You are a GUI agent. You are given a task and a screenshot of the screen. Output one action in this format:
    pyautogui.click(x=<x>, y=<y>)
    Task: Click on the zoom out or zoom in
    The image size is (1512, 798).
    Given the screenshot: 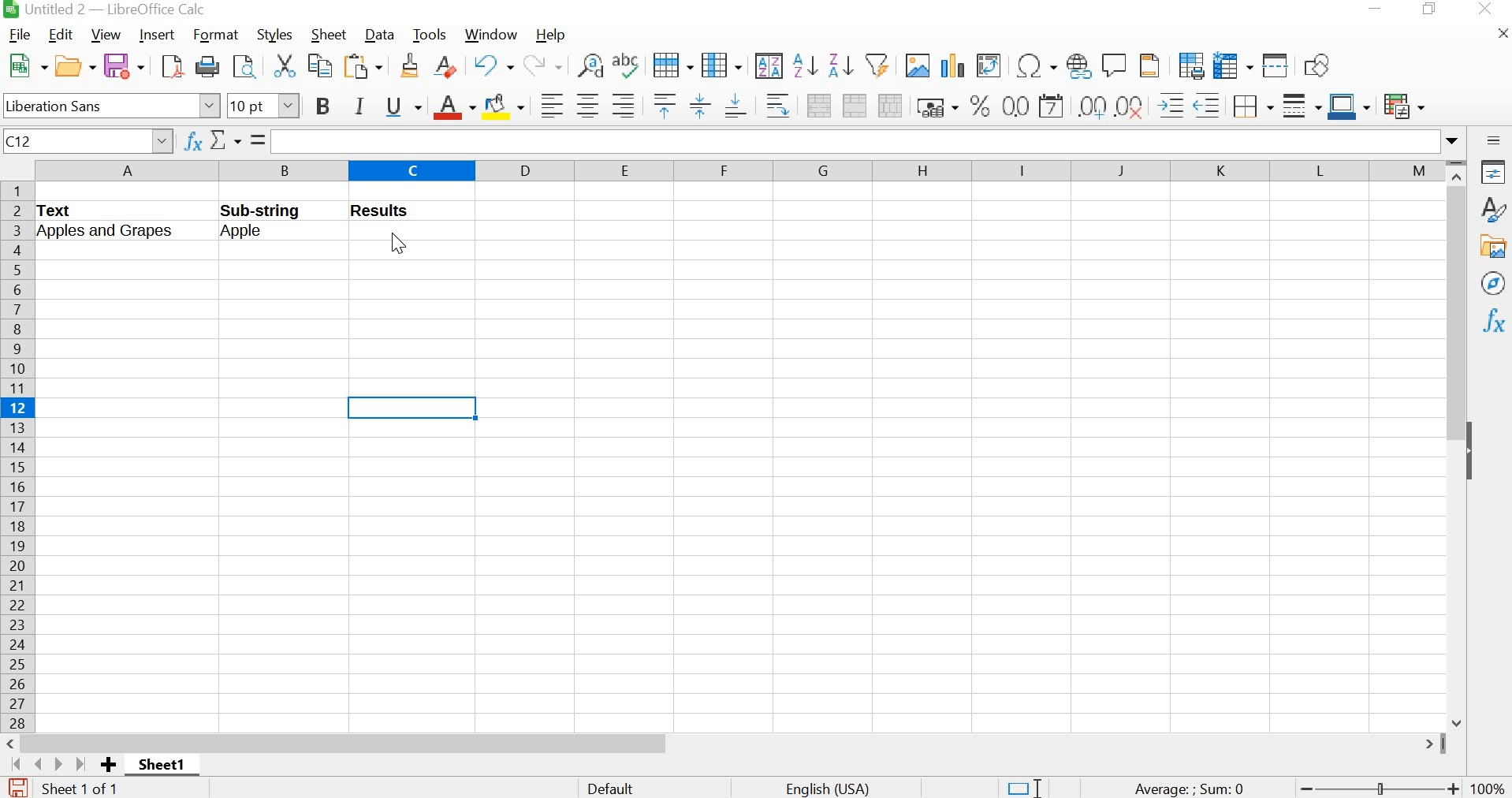 What is the action you would take?
    pyautogui.click(x=1380, y=787)
    